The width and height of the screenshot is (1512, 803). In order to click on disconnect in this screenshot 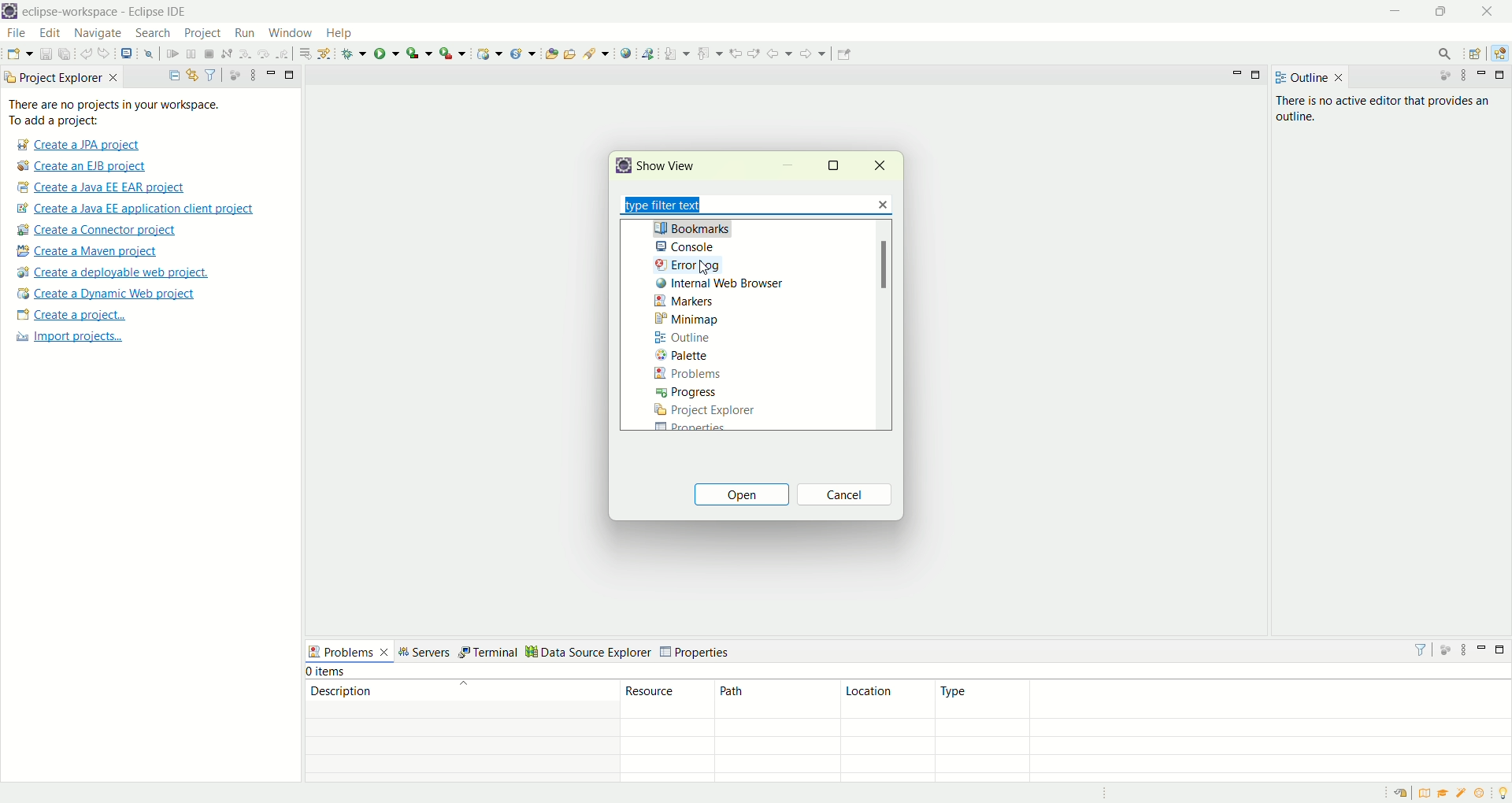, I will do `click(225, 53)`.